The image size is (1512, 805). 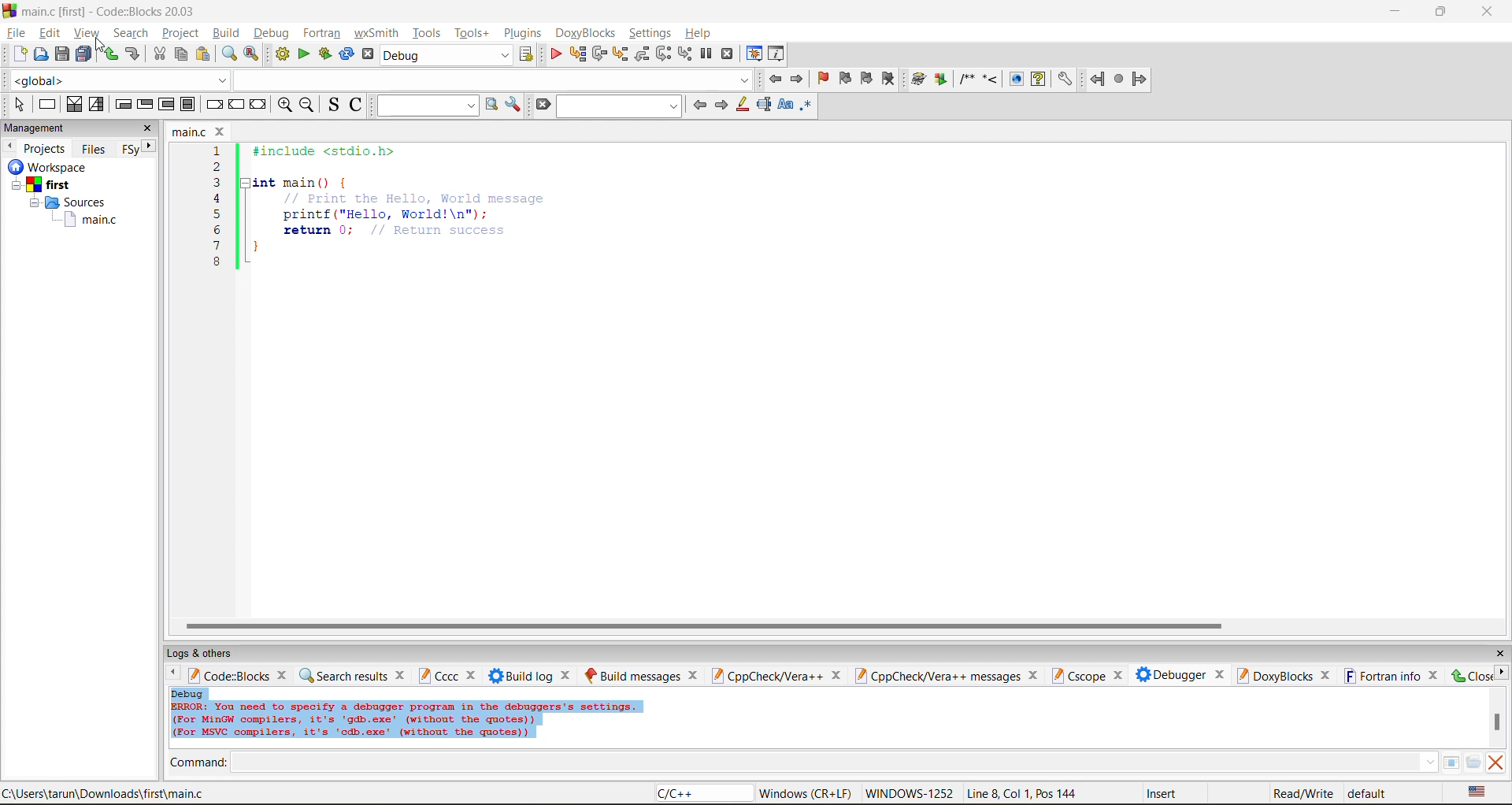 What do you see at coordinates (122, 106) in the screenshot?
I see `entry condition loop` at bounding box center [122, 106].